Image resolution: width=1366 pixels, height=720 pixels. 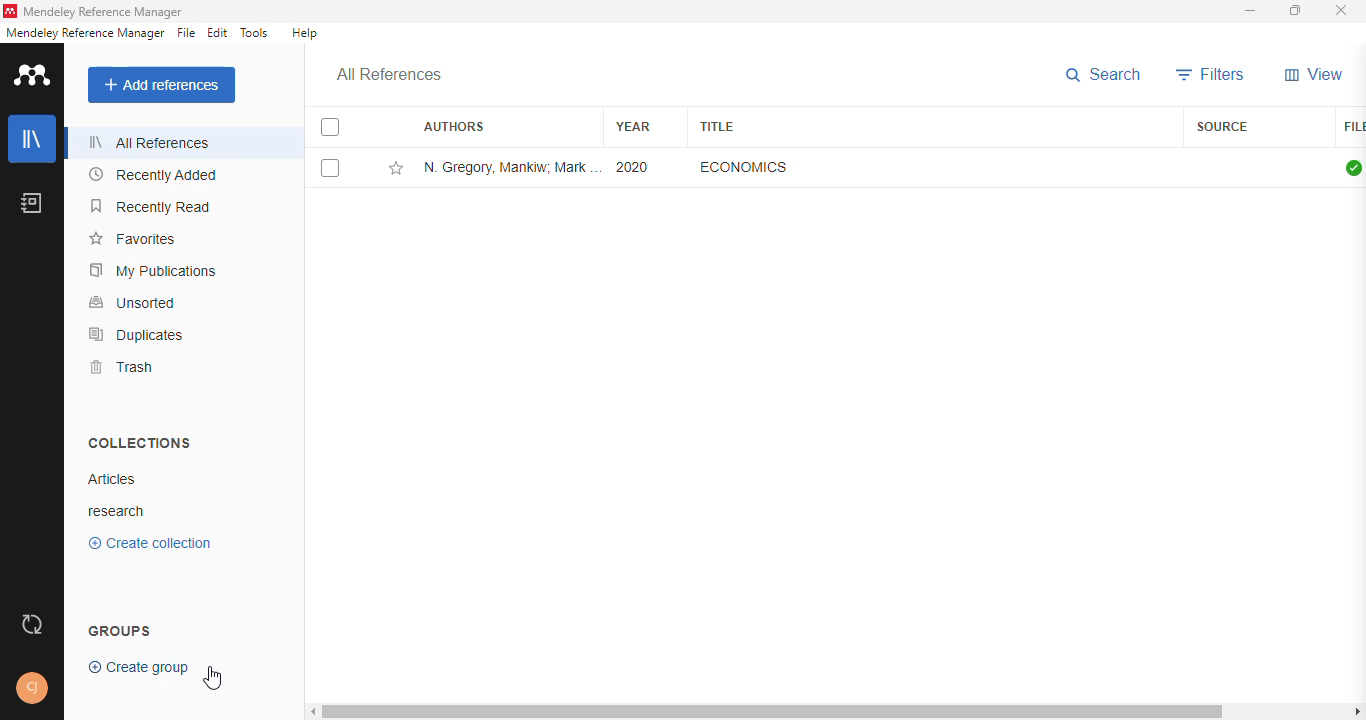 What do you see at coordinates (138, 335) in the screenshot?
I see `duplicates` at bounding box center [138, 335].